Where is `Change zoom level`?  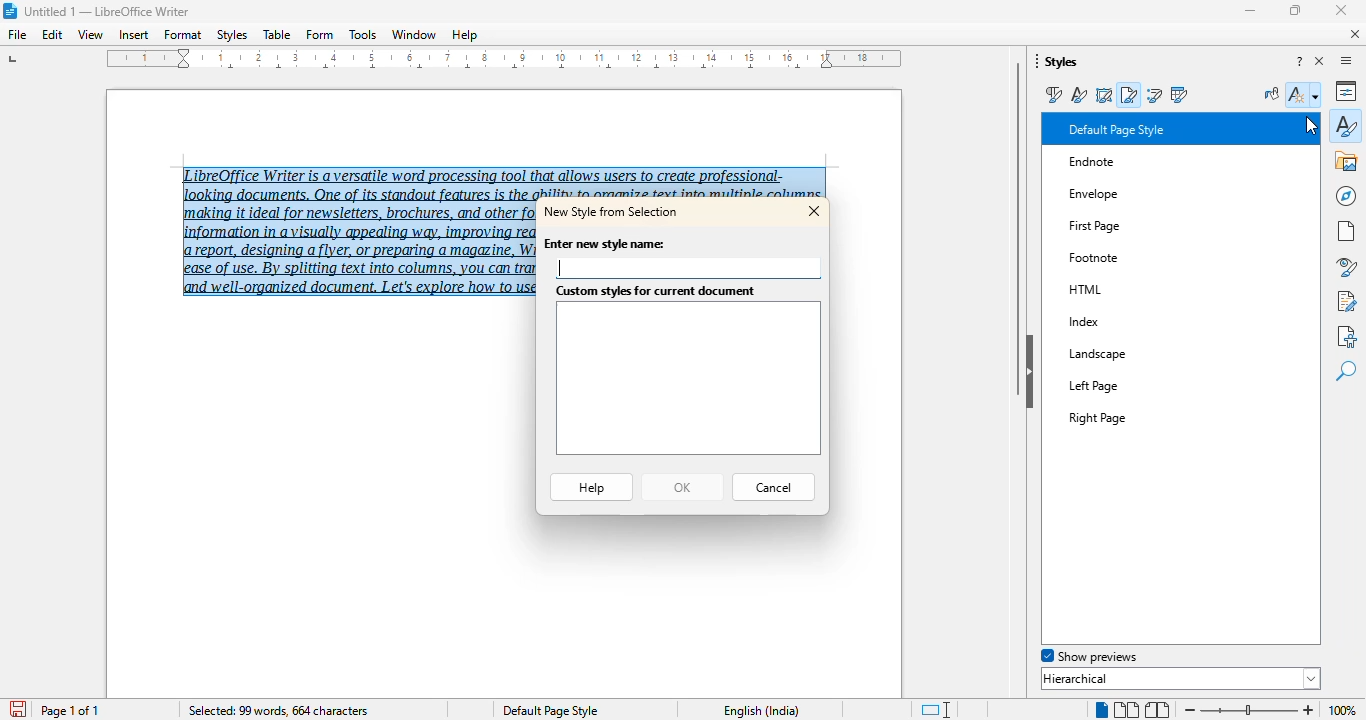
Change zoom level is located at coordinates (1250, 707).